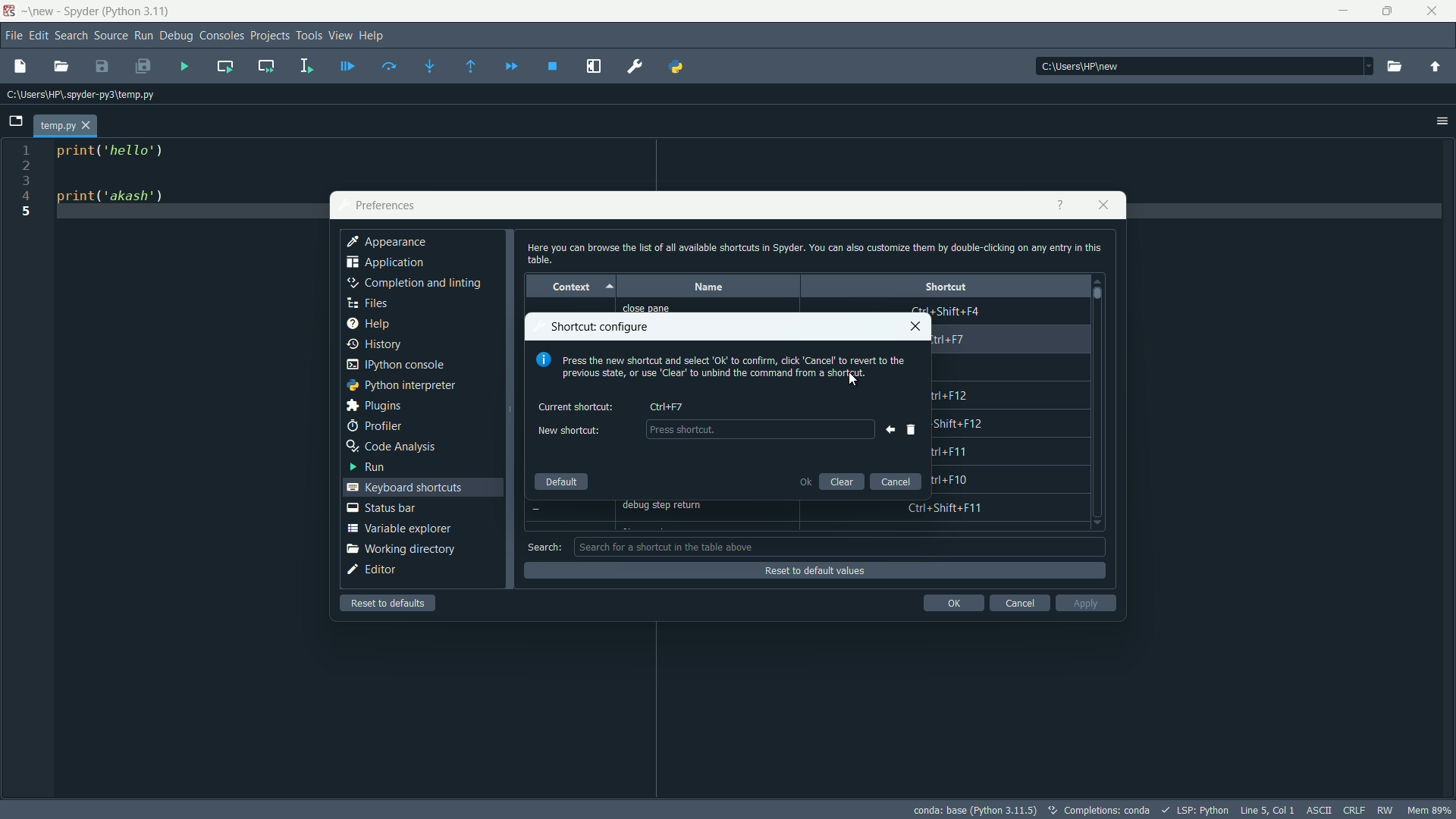 The height and width of the screenshot is (819, 1456). Describe the element at coordinates (107, 180) in the screenshot. I see `code editor - print('hello') print ('akash')` at that location.